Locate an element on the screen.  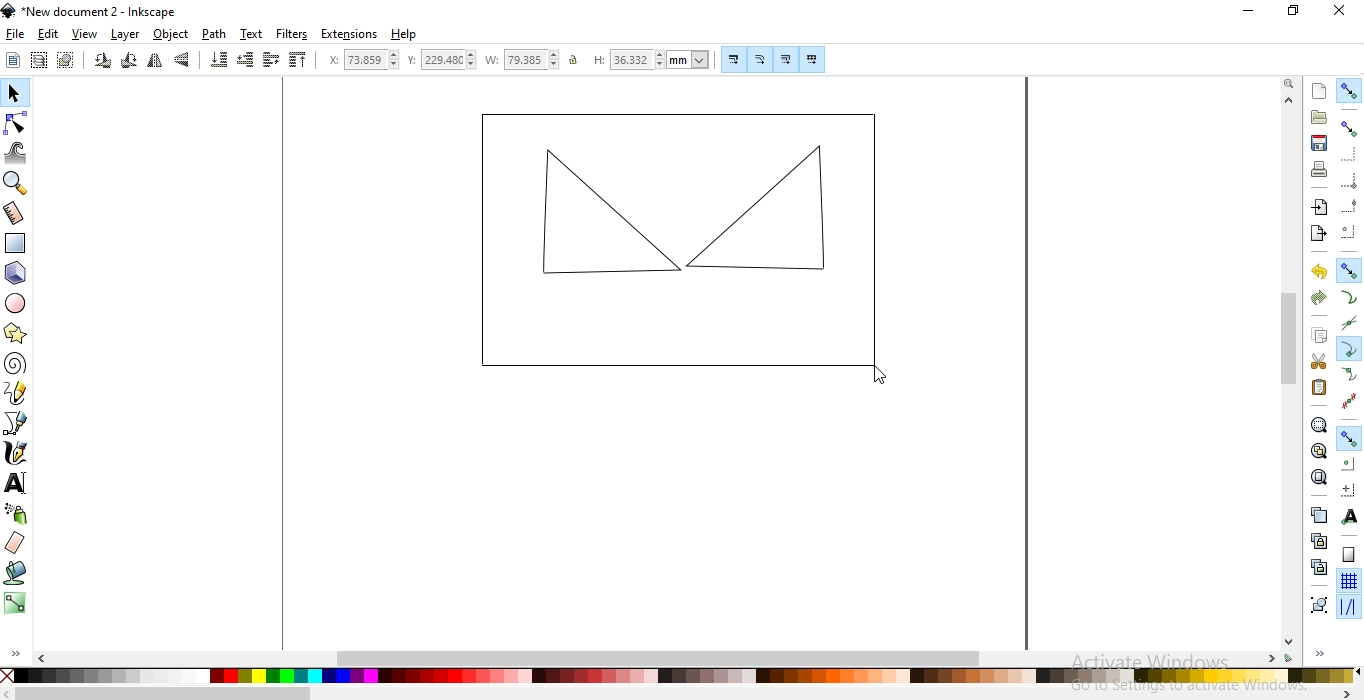
layer is located at coordinates (126, 34).